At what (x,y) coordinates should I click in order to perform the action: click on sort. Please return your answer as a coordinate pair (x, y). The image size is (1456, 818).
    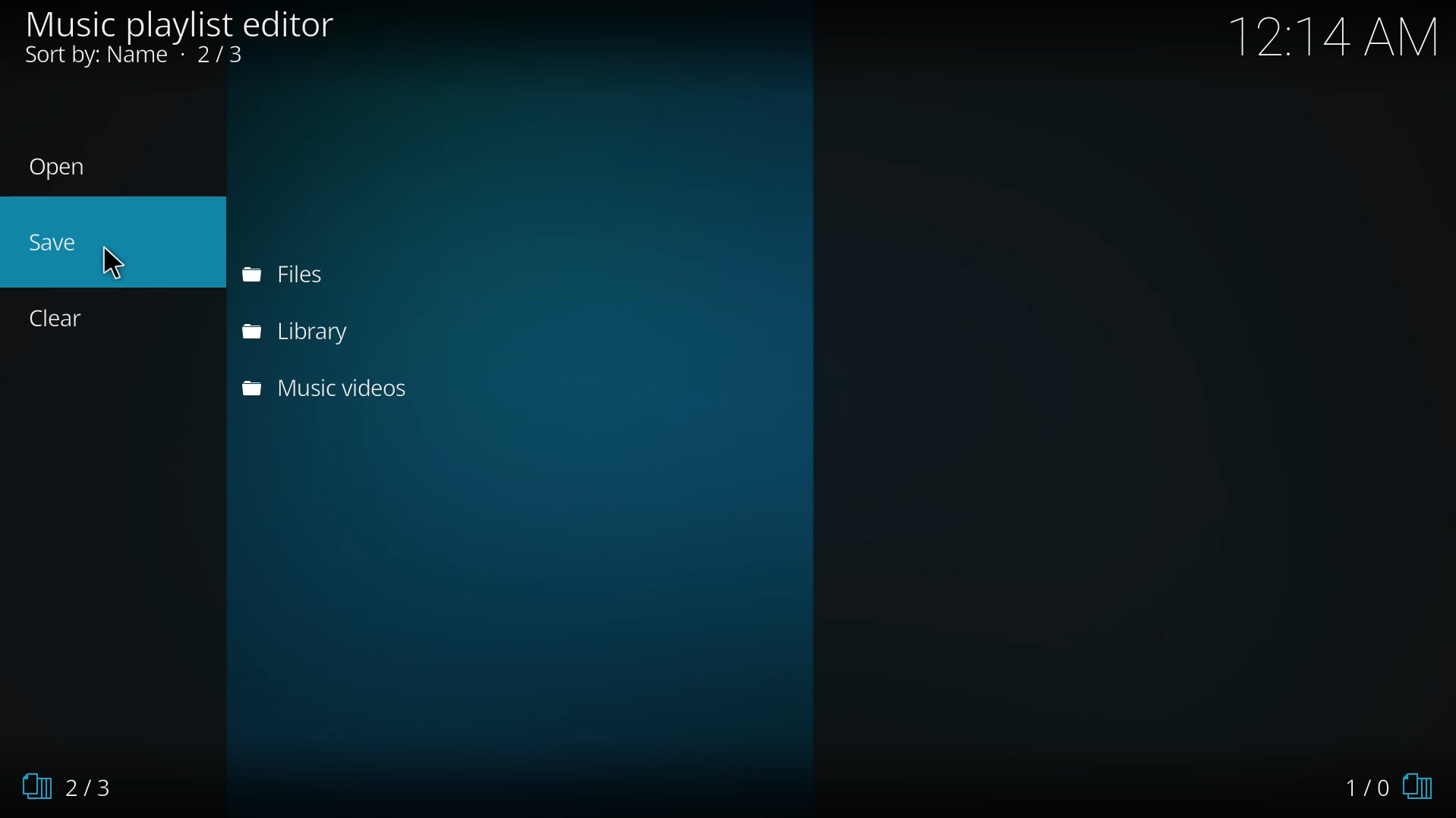
    Looking at the image, I should click on (138, 55).